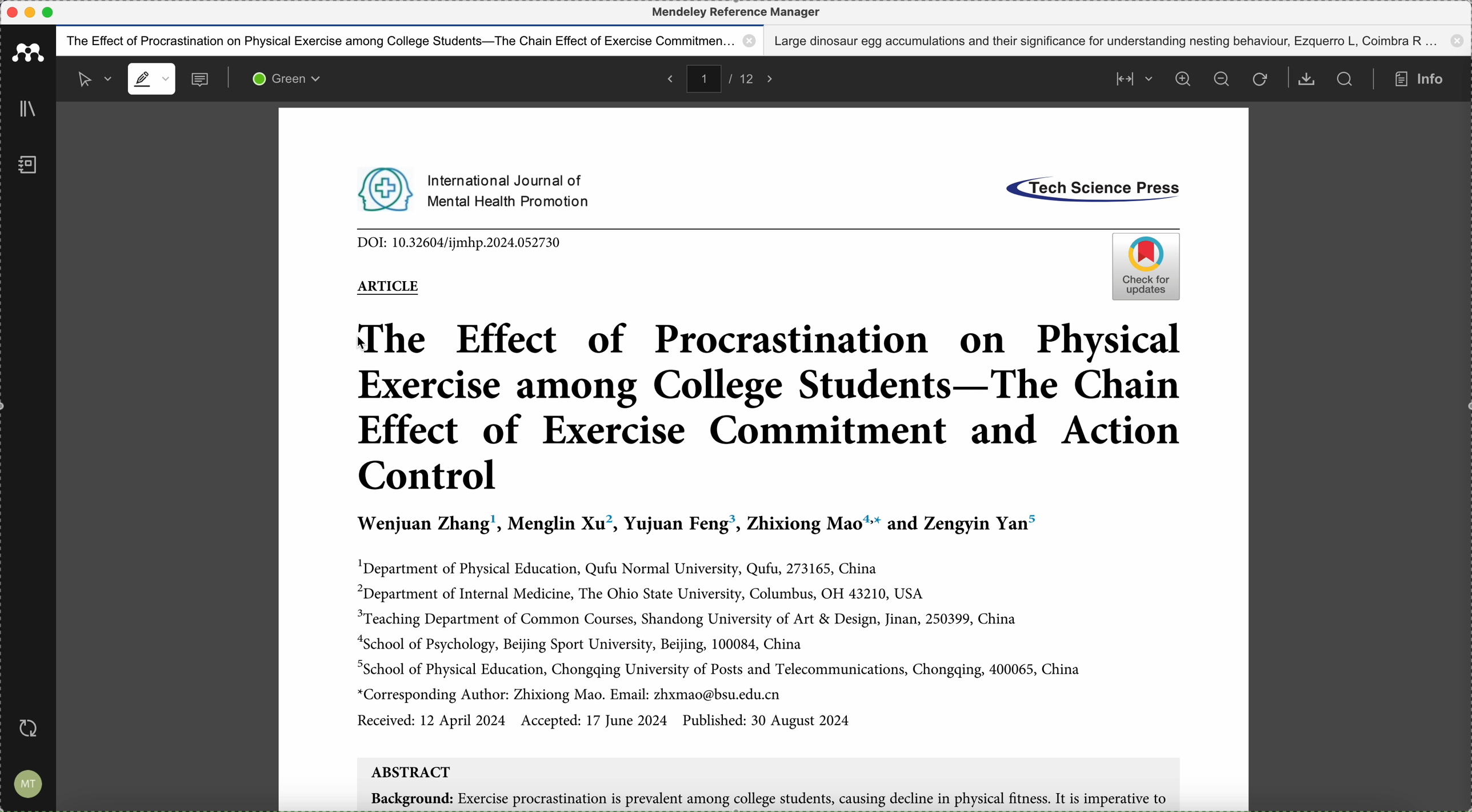 Image resolution: width=1472 pixels, height=812 pixels. What do you see at coordinates (1259, 80) in the screenshot?
I see `refresh the page` at bounding box center [1259, 80].